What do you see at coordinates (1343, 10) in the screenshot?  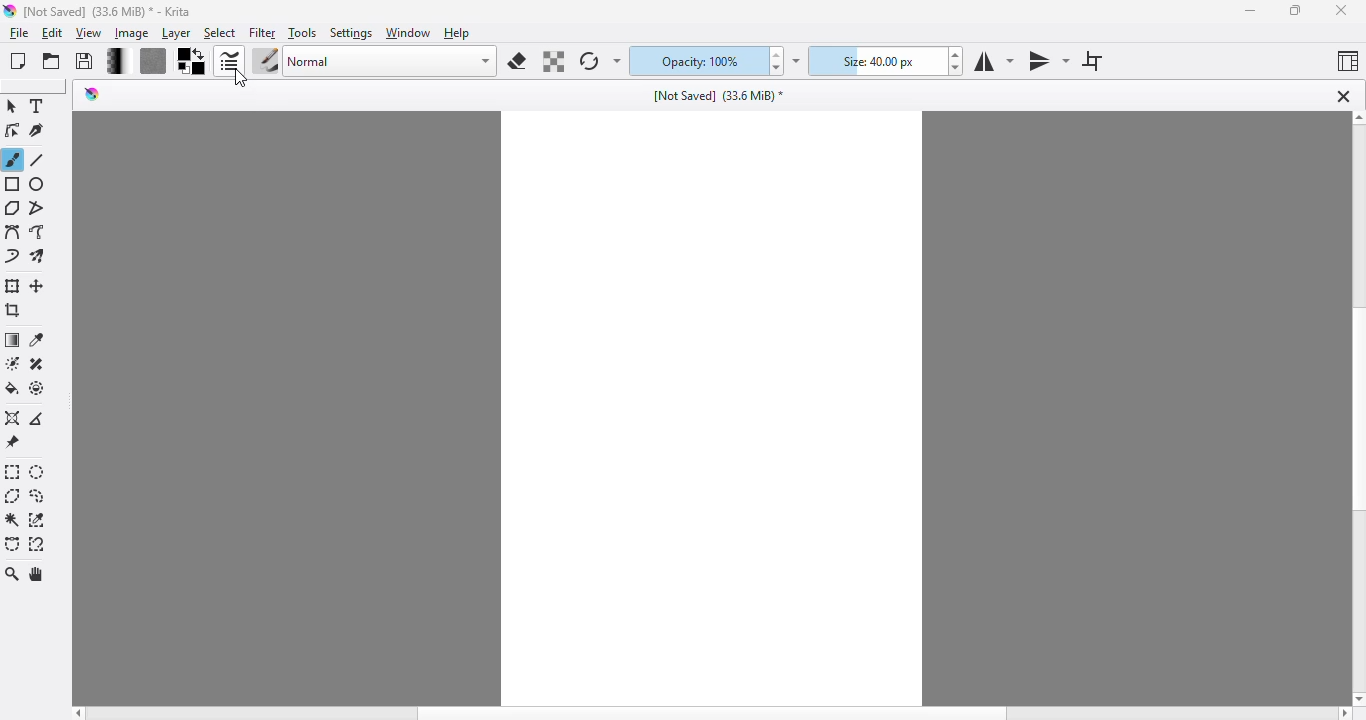 I see `close` at bounding box center [1343, 10].